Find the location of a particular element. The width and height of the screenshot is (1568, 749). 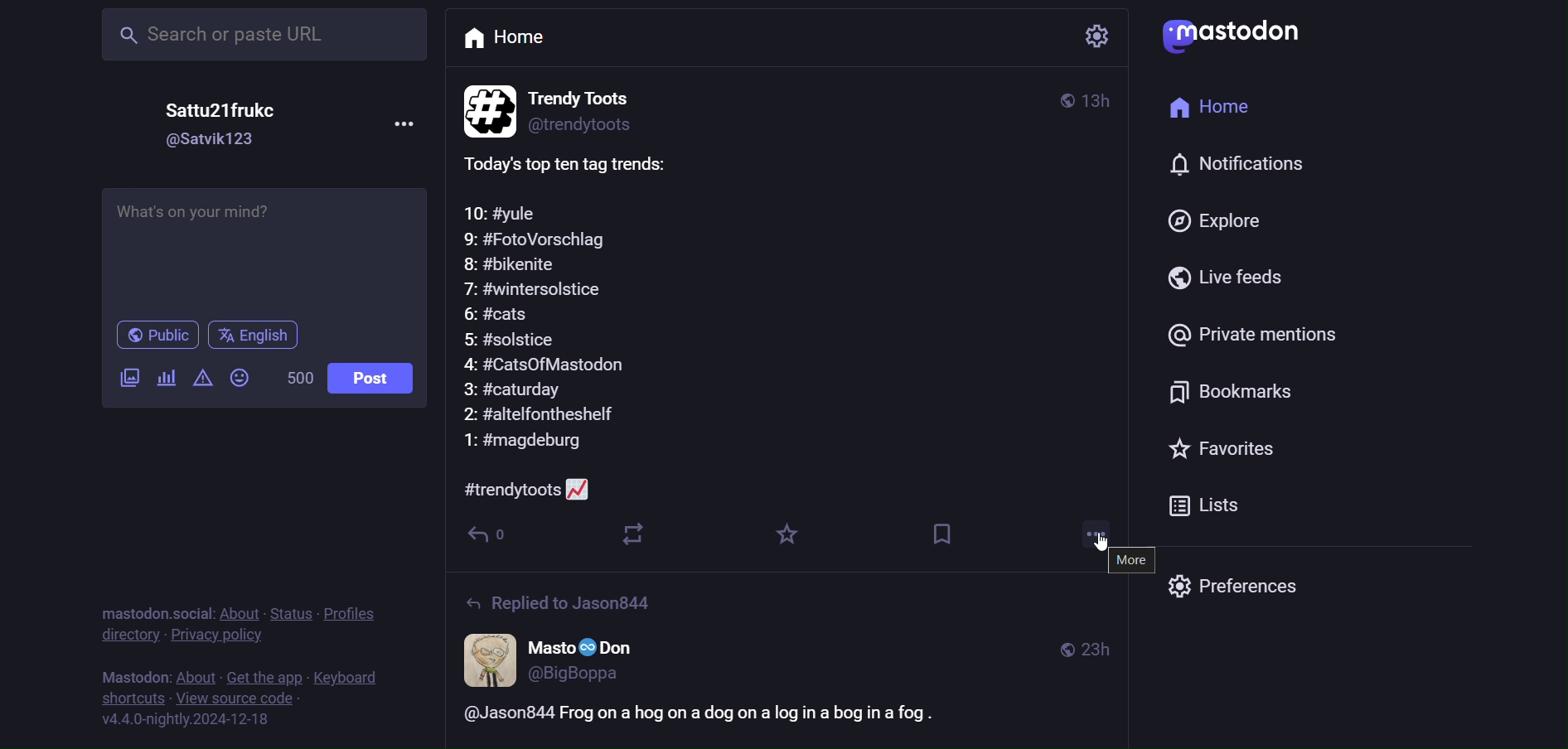

favorites is located at coordinates (1212, 453).